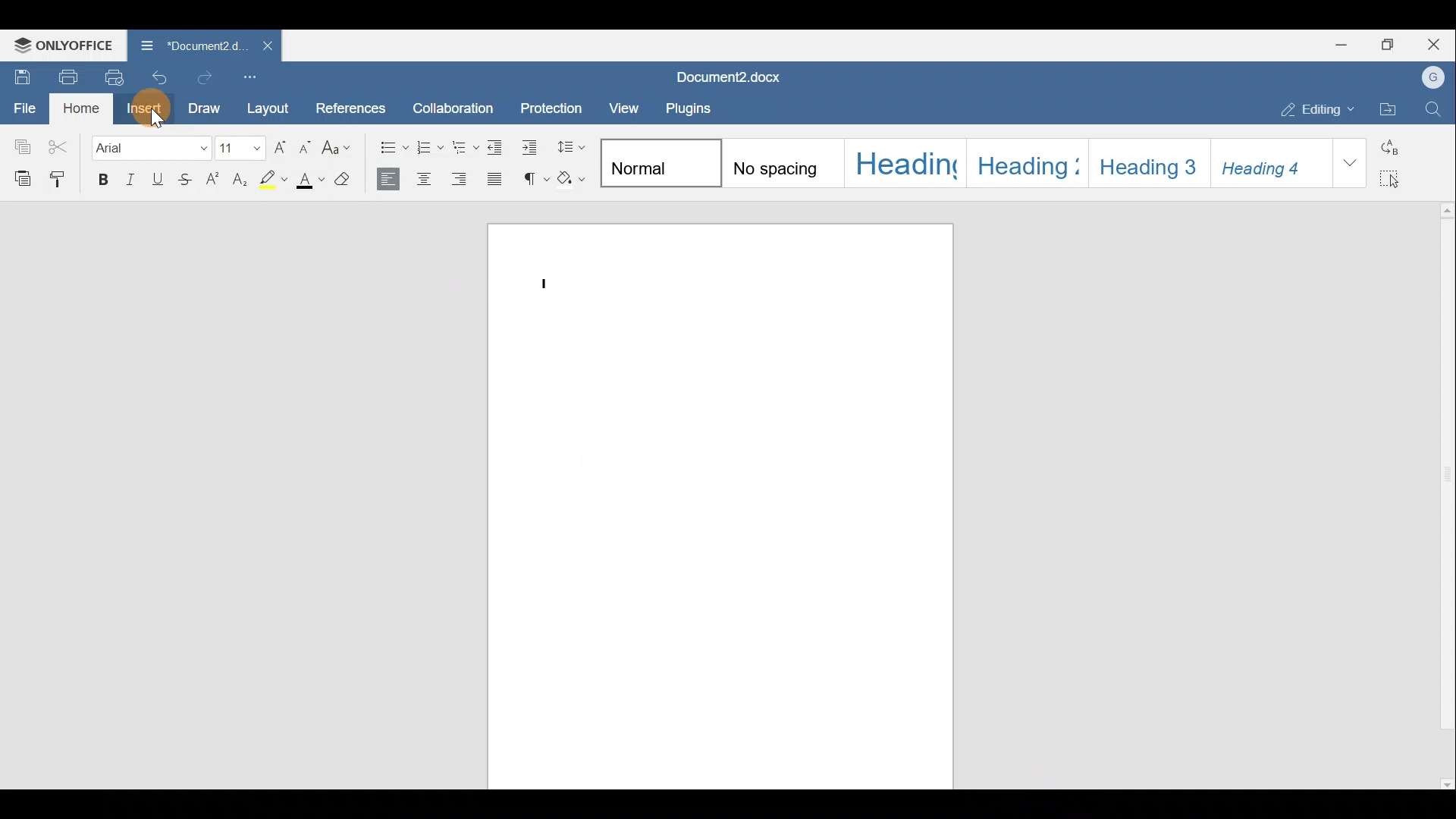 Image resolution: width=1456 pixels, height=819 pixels. I want to click on Open file location, so click(1388, 109).